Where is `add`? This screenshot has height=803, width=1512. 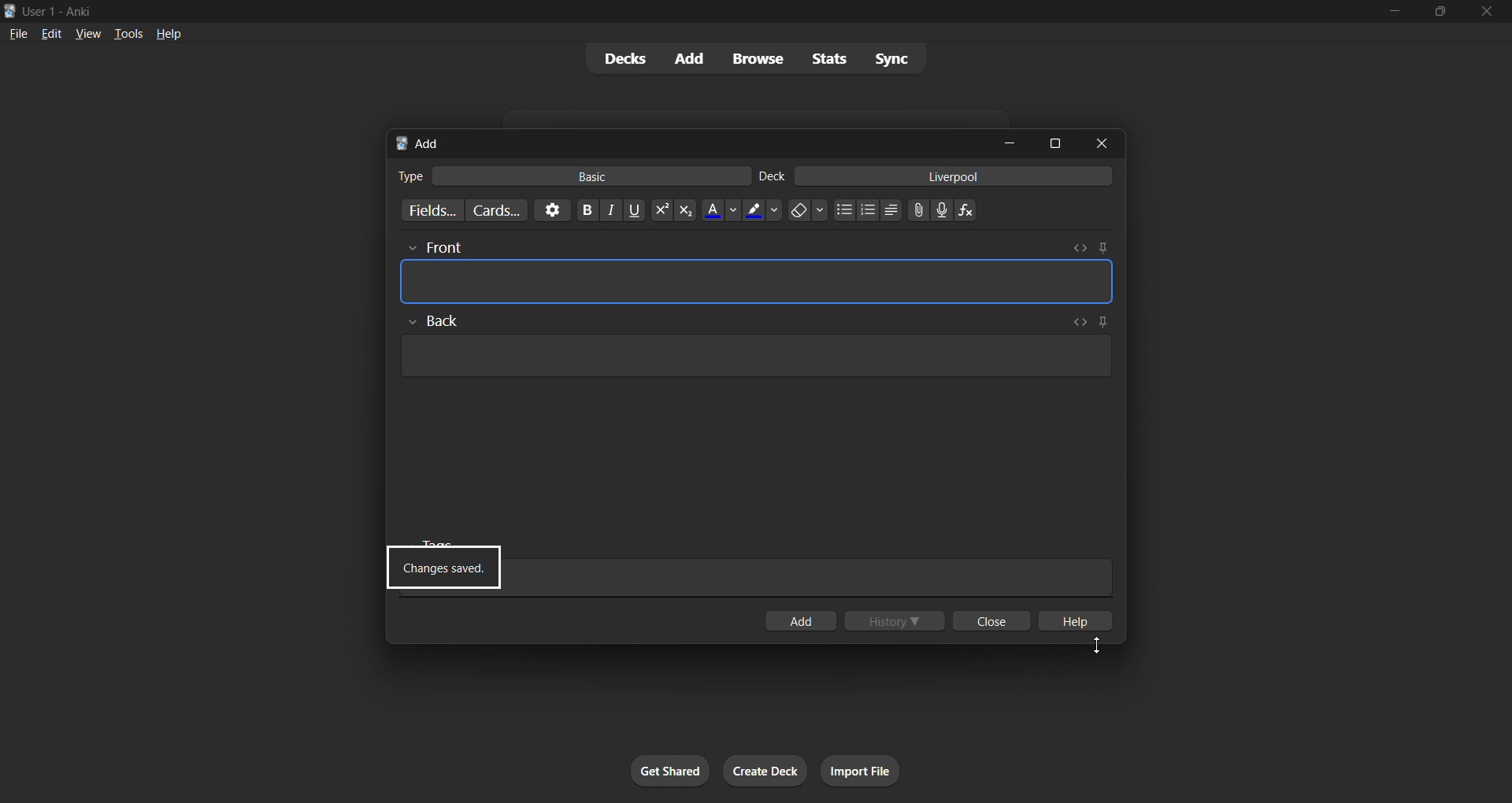
add is located at coordinates (802, 620).